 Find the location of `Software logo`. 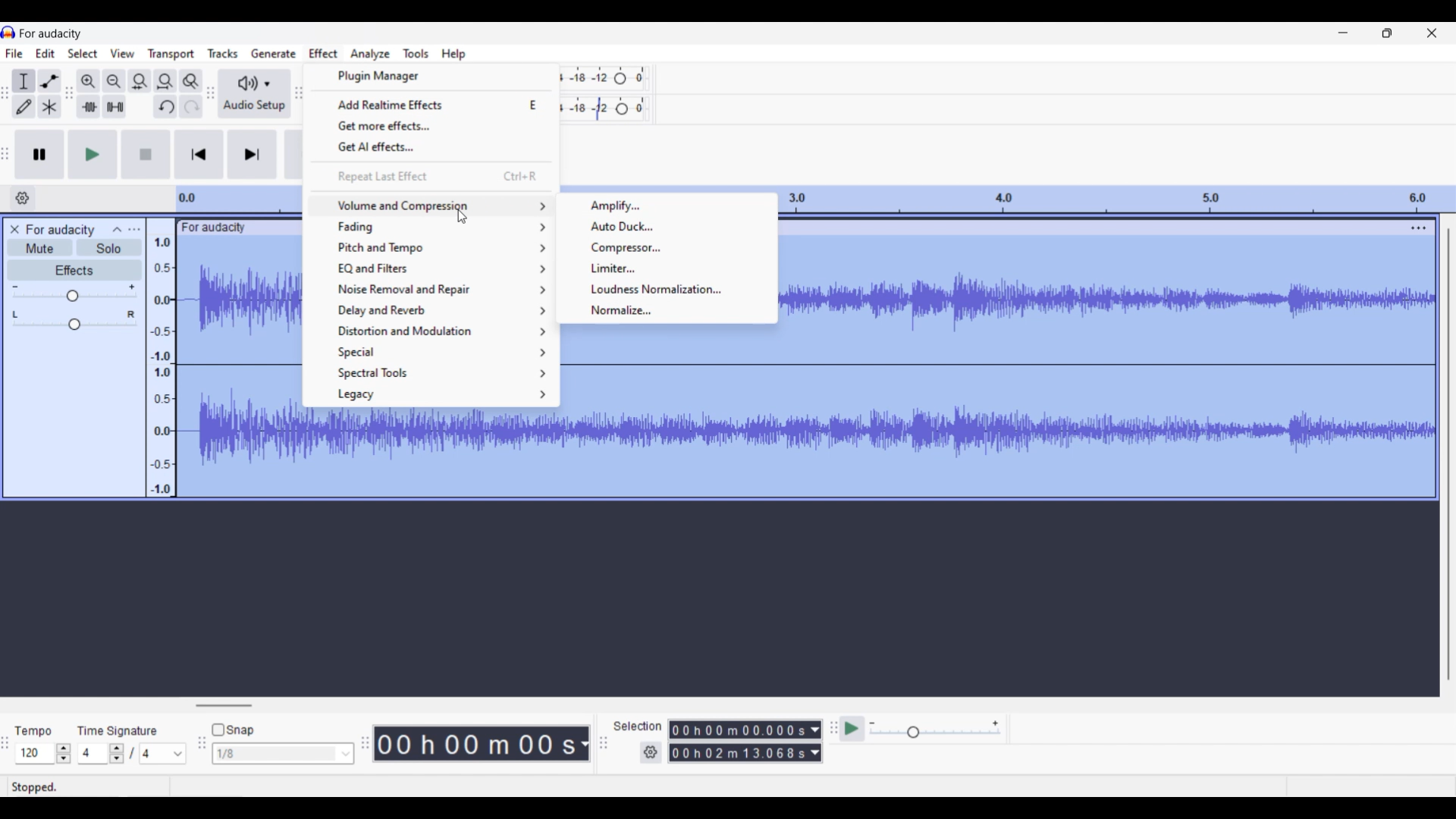

Software logo is located at coordinates (8, 33).